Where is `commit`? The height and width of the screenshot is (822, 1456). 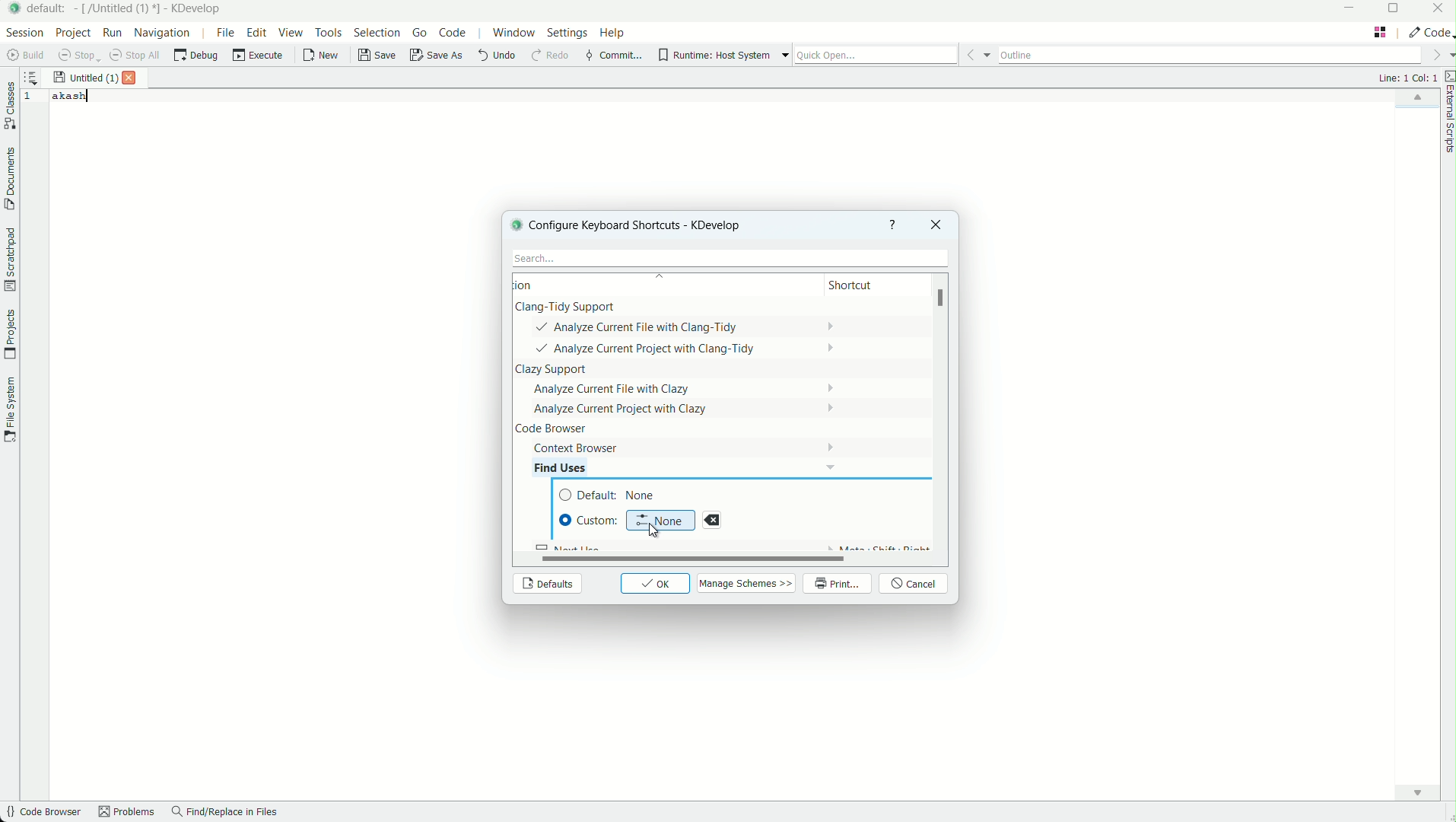 commit is located at coordinates (613, 56).